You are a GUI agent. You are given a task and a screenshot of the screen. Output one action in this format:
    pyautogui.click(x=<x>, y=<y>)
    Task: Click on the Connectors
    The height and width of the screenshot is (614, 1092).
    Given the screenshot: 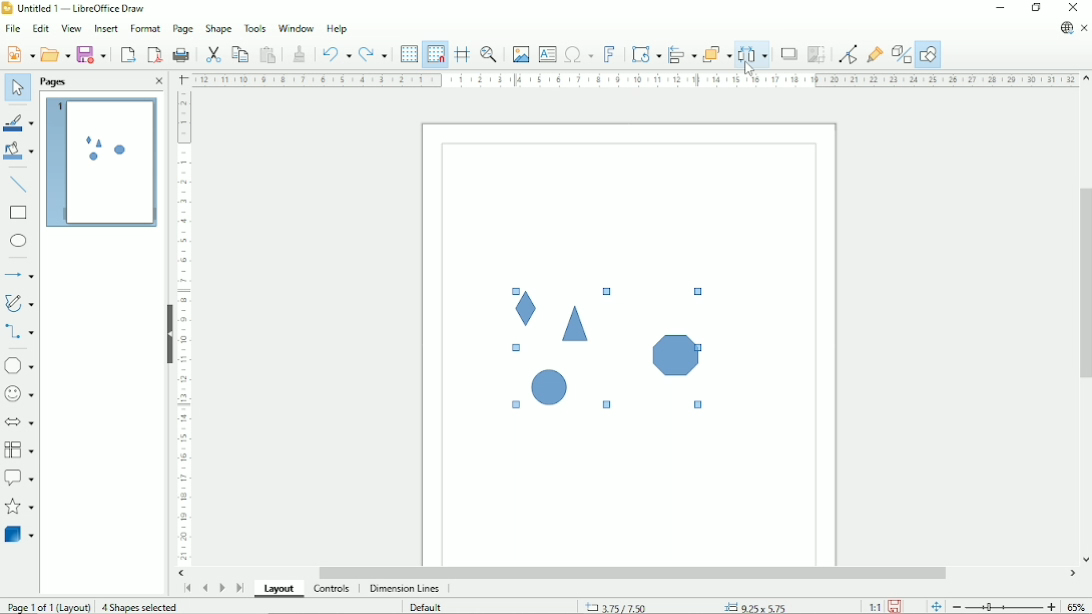 What is the action you would take?
    pyautogui.click(x=20, y=333)
    